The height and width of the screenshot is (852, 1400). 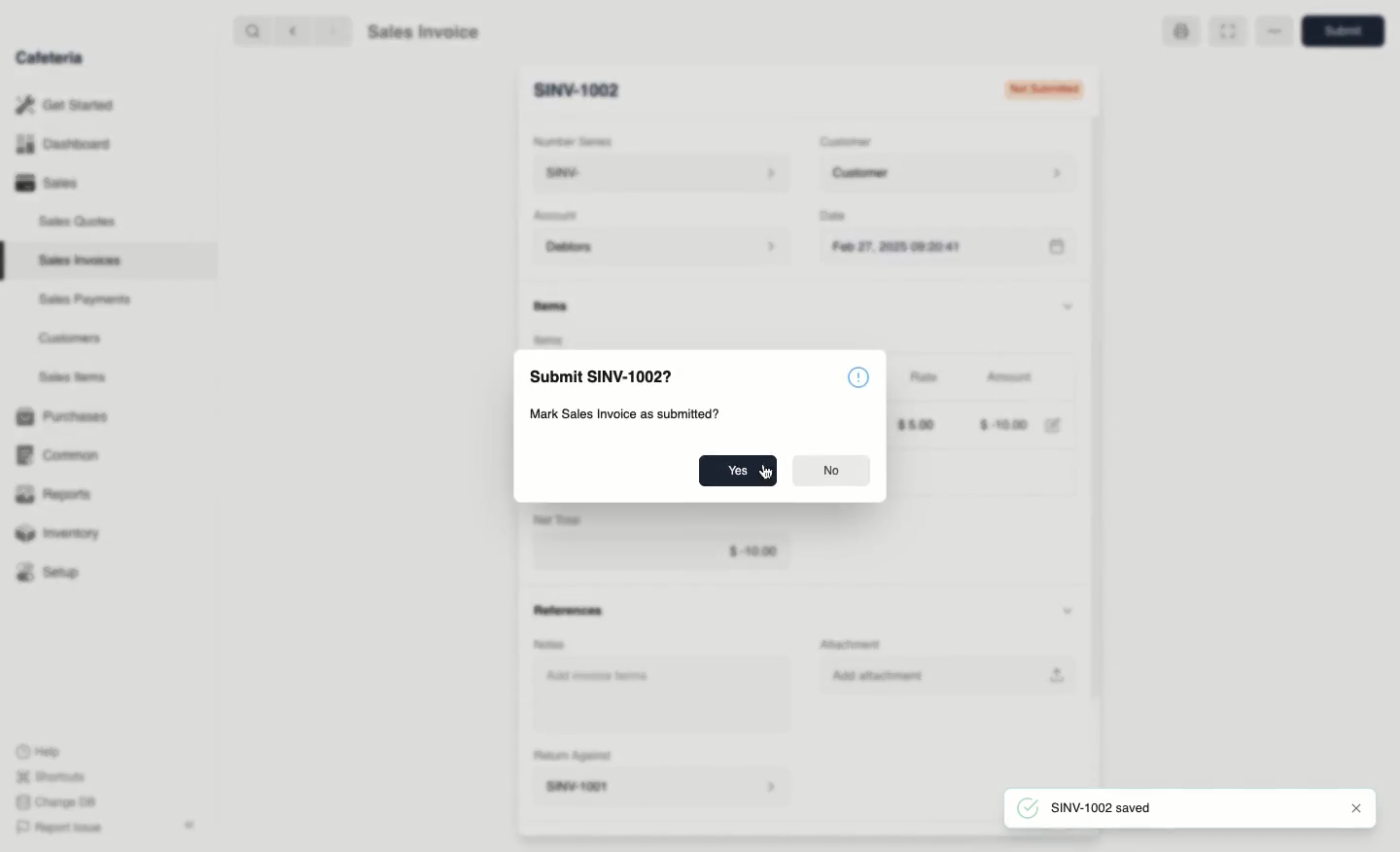 I want to click on ‘Common, so click(x=58, y=454).